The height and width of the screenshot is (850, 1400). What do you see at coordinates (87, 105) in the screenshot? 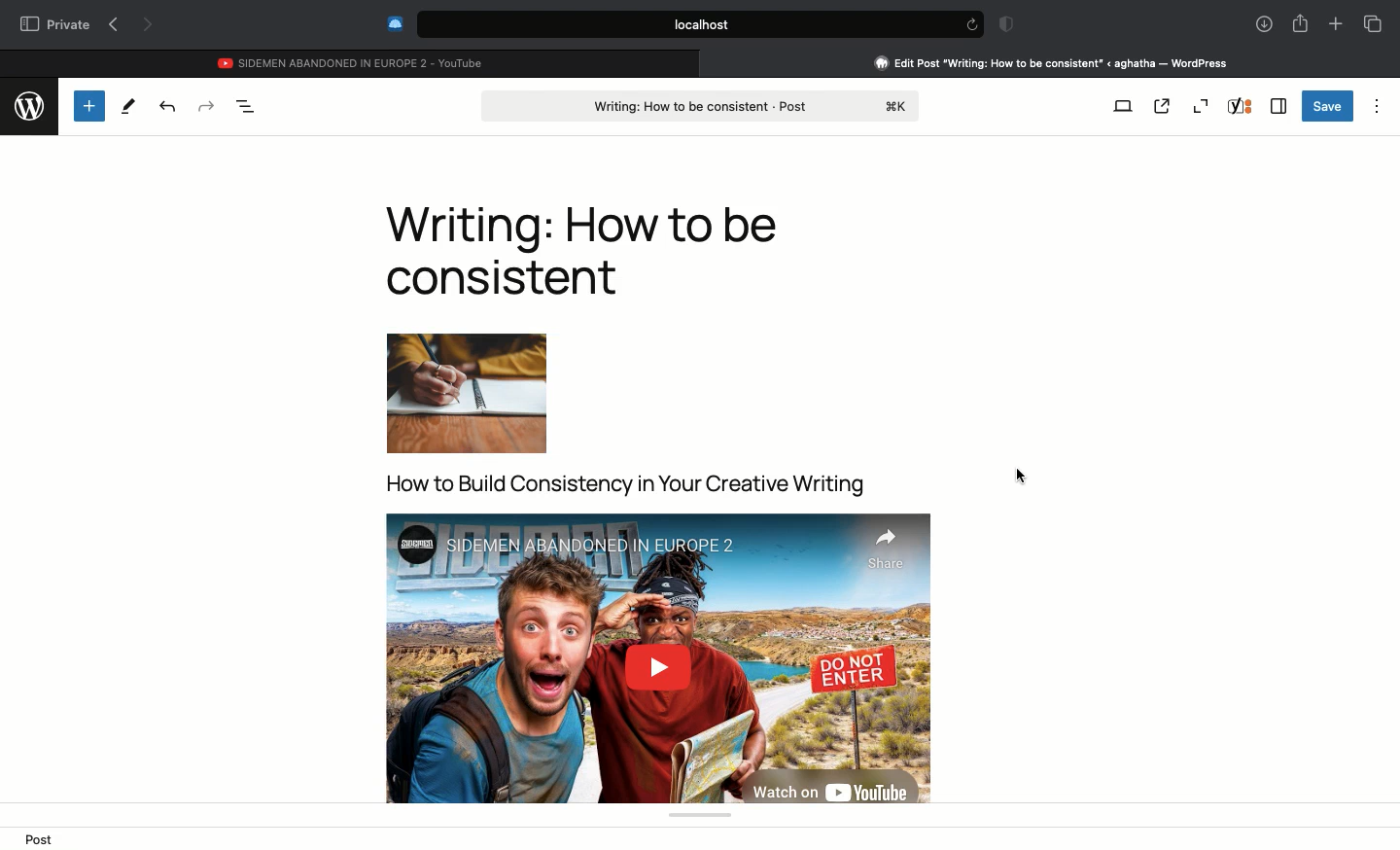
I see `Add new block` at bounding box center [87, 105].